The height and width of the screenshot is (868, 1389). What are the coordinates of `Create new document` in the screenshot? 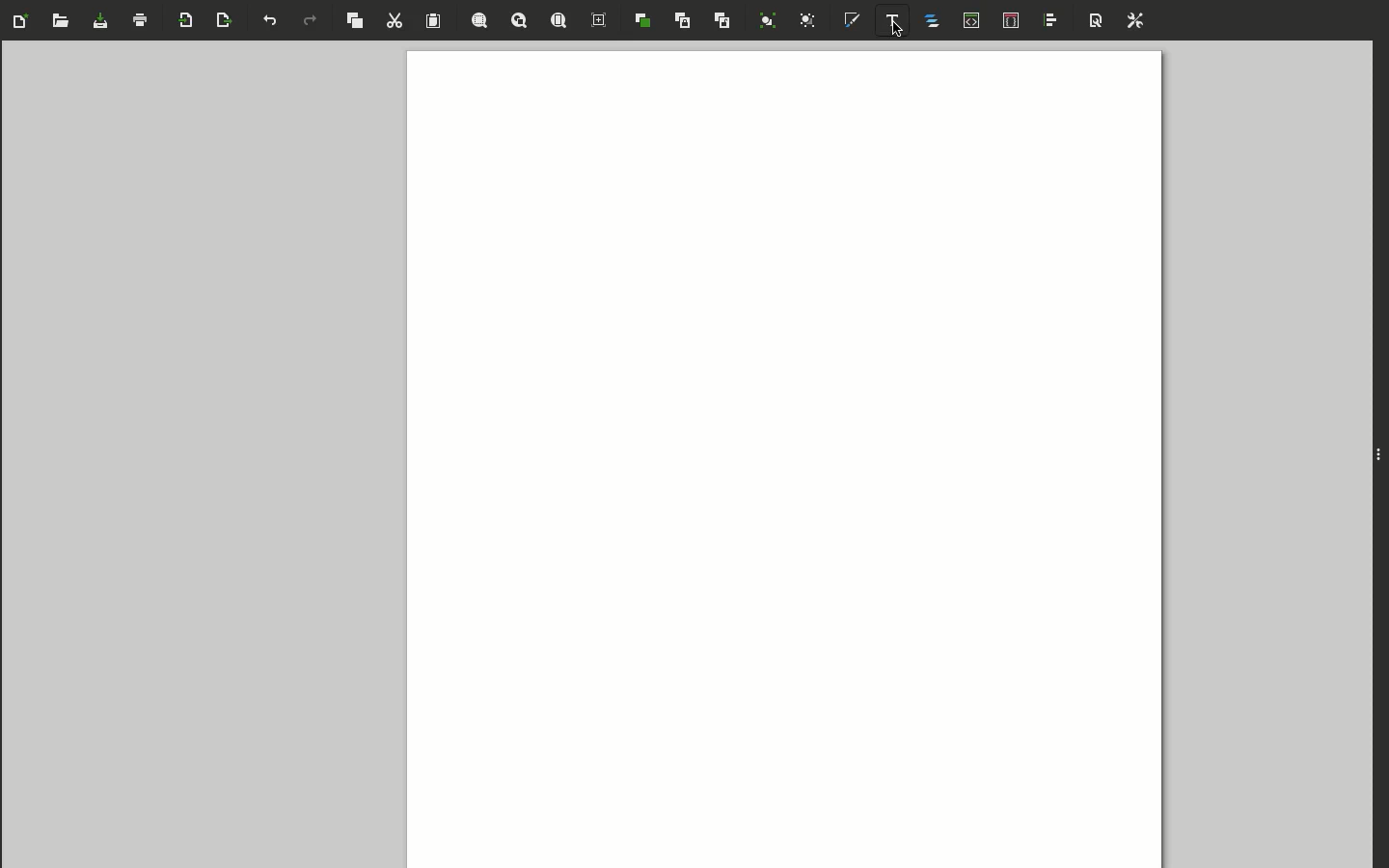 It's located at (24, 21).